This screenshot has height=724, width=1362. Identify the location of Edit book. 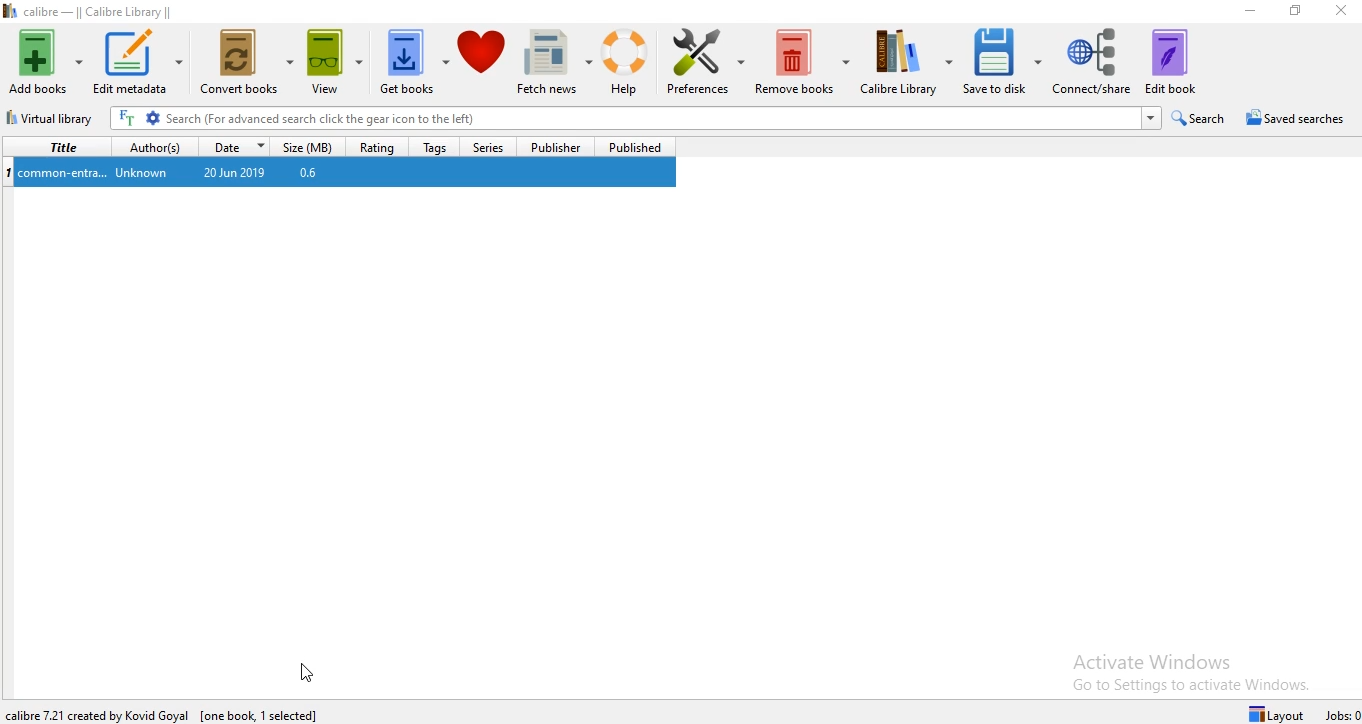
(1183, 62).